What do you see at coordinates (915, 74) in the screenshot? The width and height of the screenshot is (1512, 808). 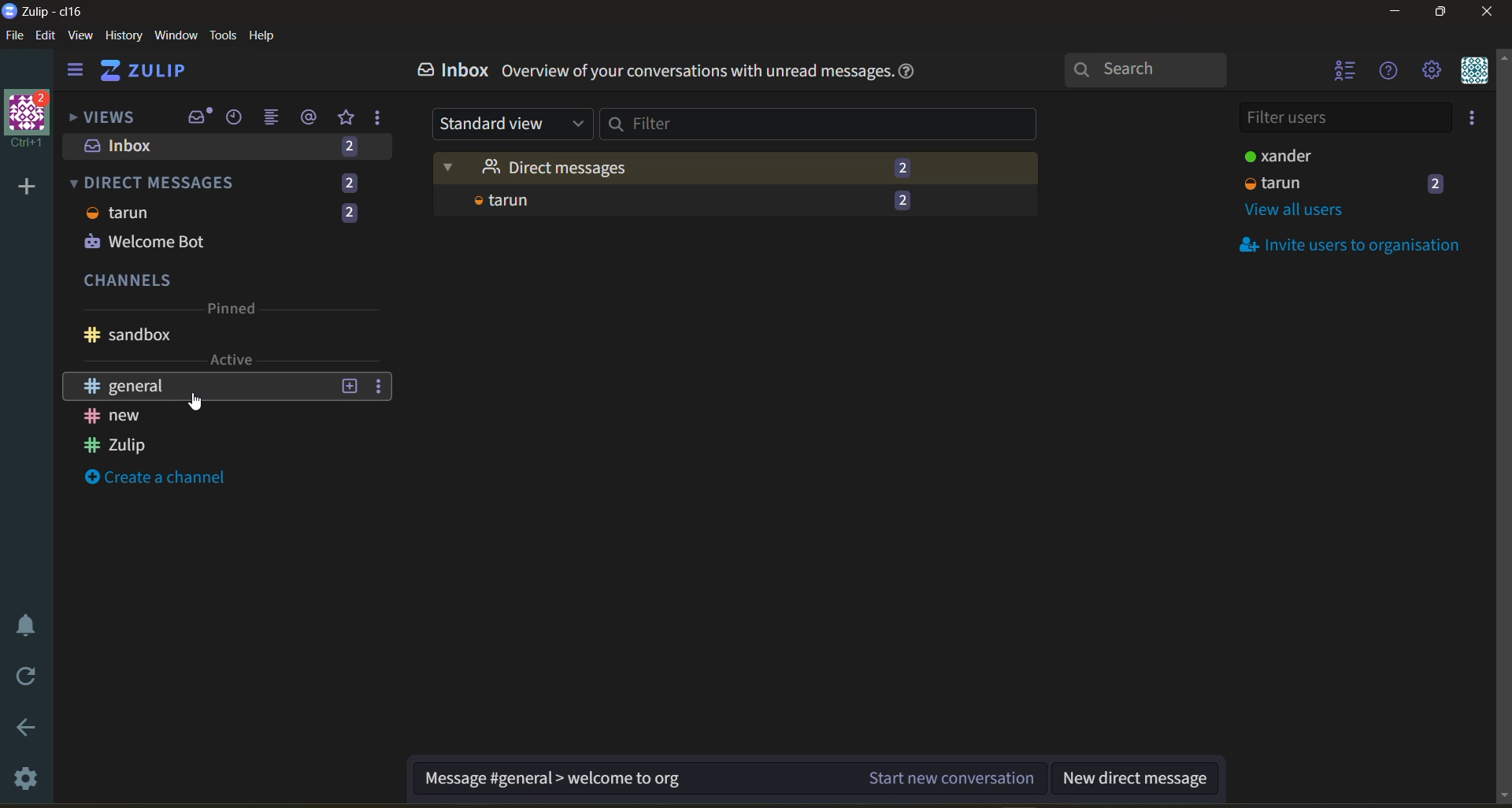 I see `help` at bounding box center [915, 74].